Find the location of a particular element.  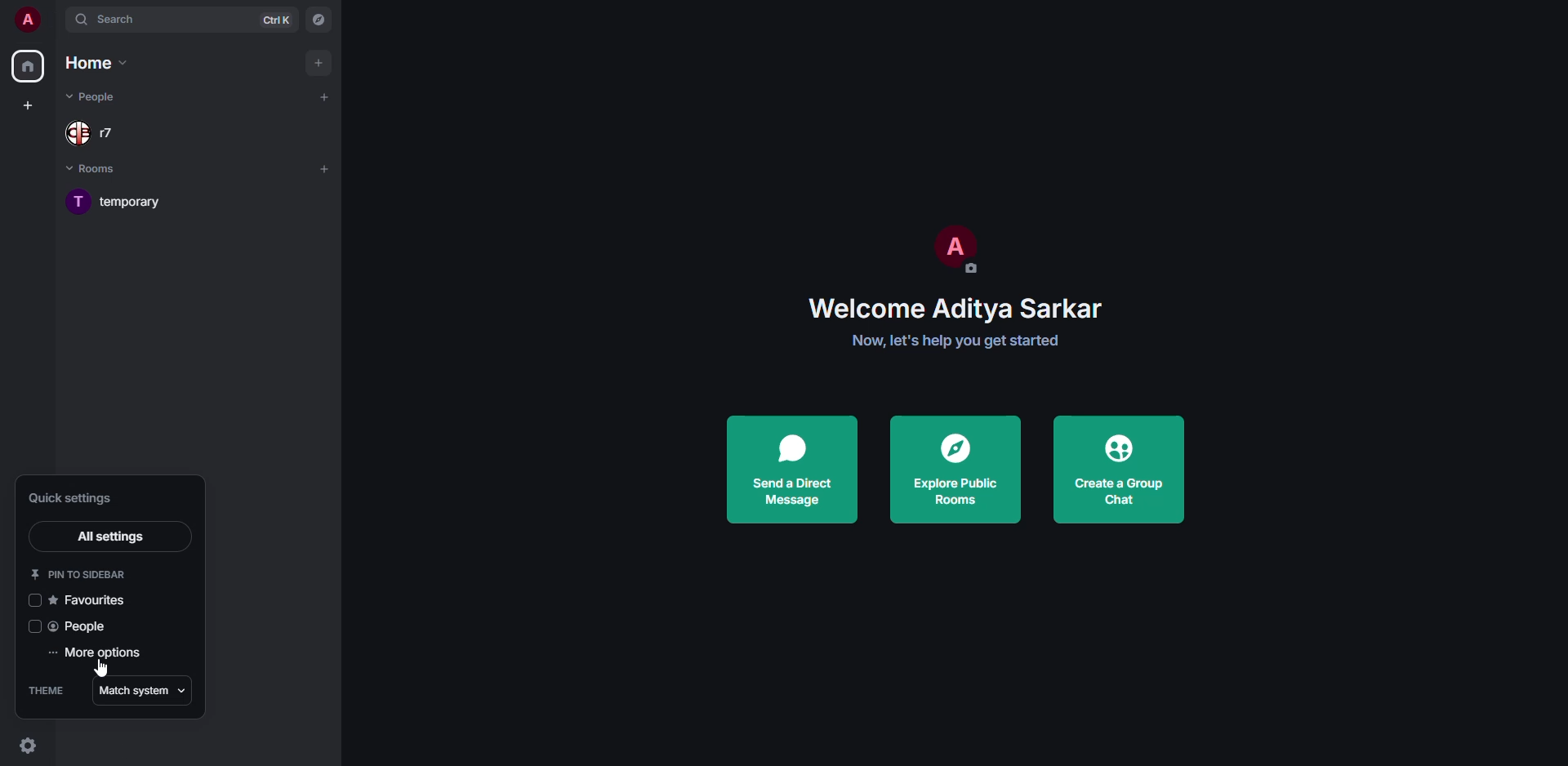

match system is located at coordinates (142, 691).